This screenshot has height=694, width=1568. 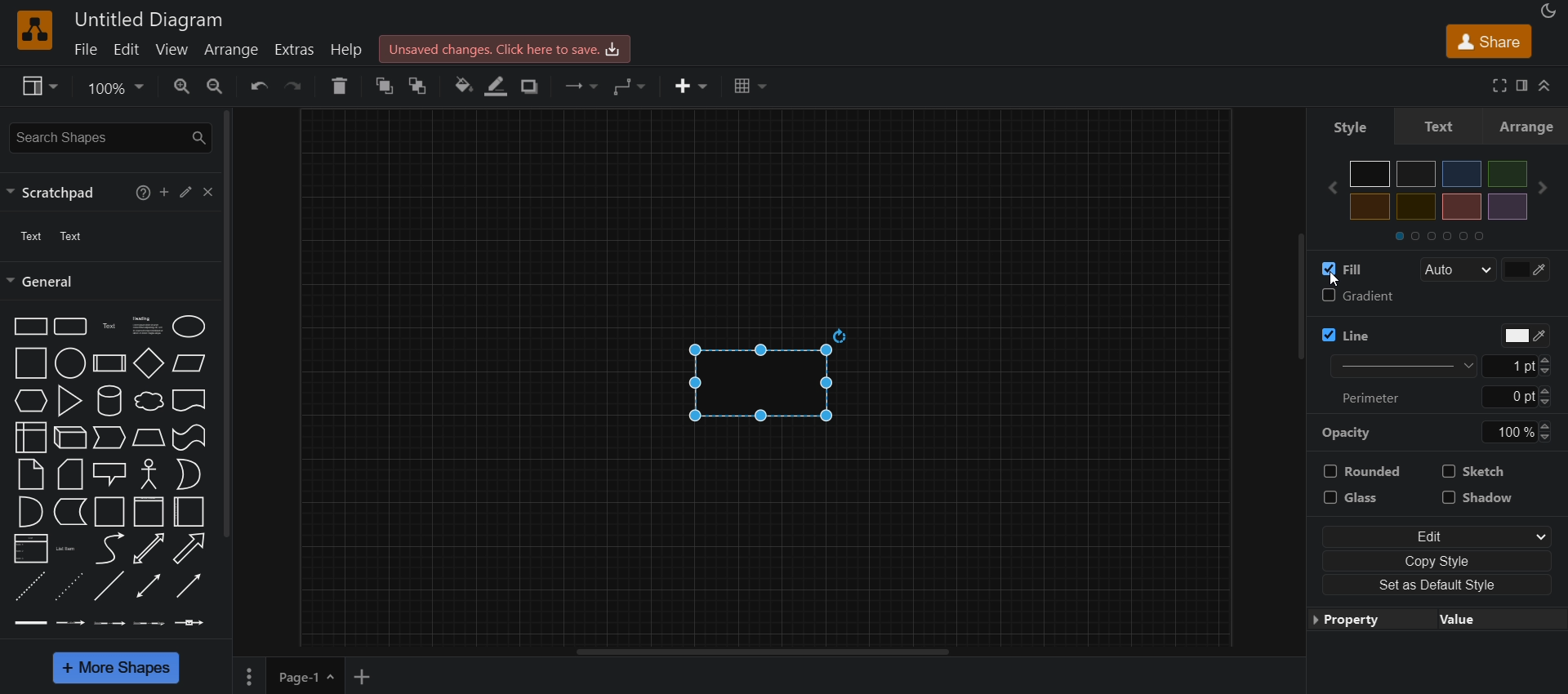 I want to click on waypoints, so click(x=633, y=87).